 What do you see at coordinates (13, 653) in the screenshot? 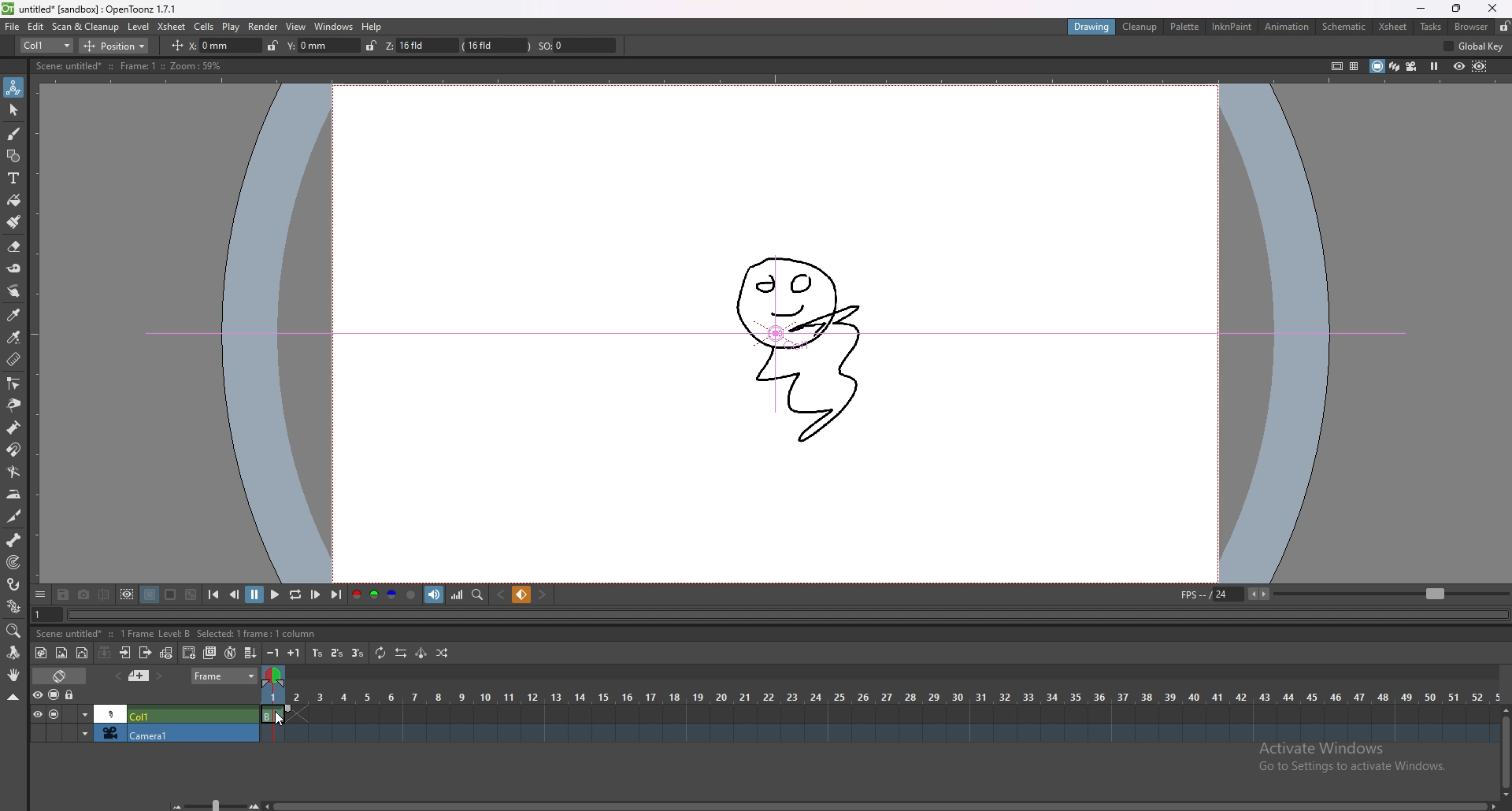
I see `rotate` at bounding box center [13, 653].